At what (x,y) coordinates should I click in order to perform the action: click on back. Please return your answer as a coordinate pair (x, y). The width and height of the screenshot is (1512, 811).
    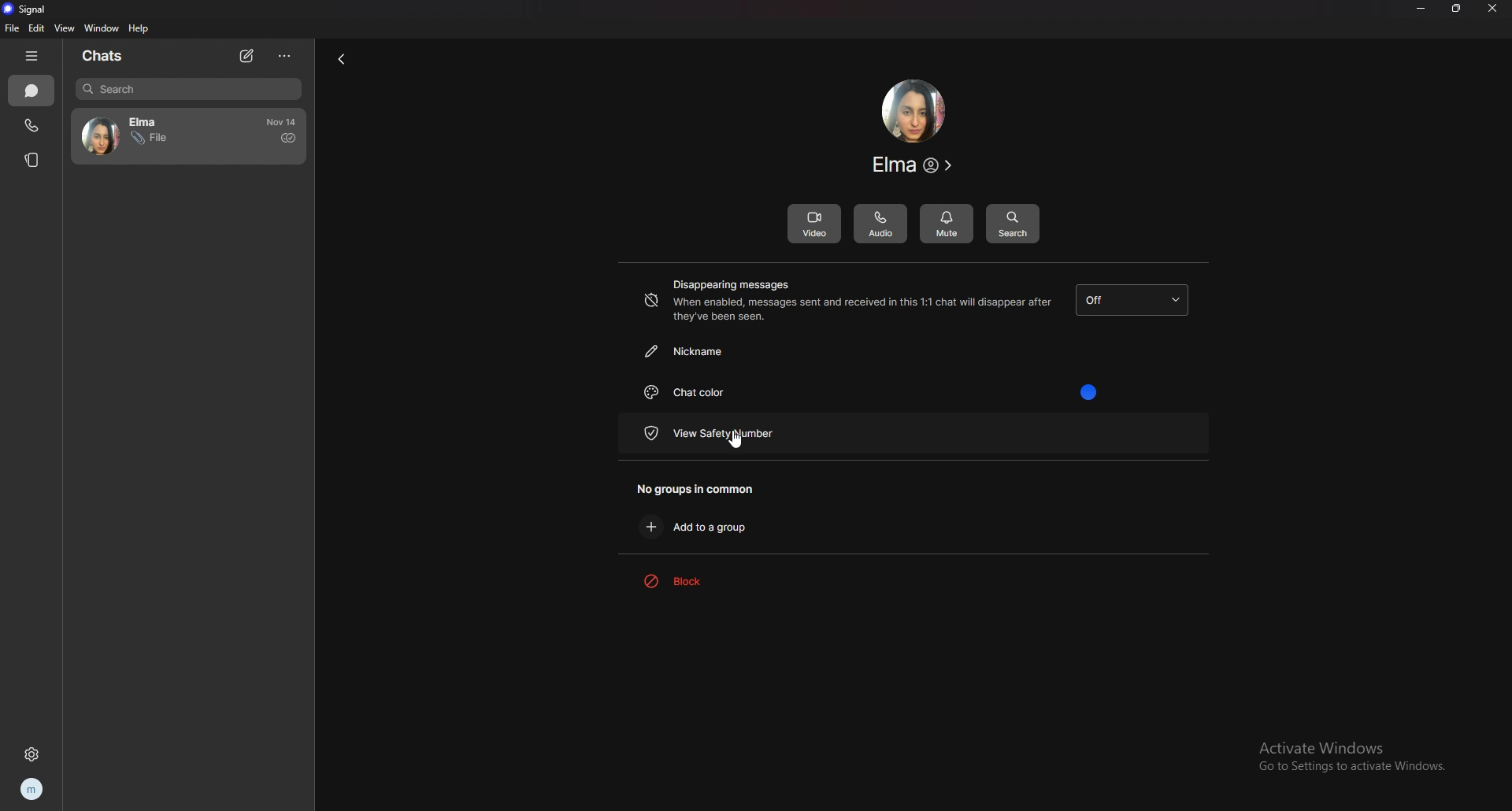
    Looking at the image, I should click on (338, 61).